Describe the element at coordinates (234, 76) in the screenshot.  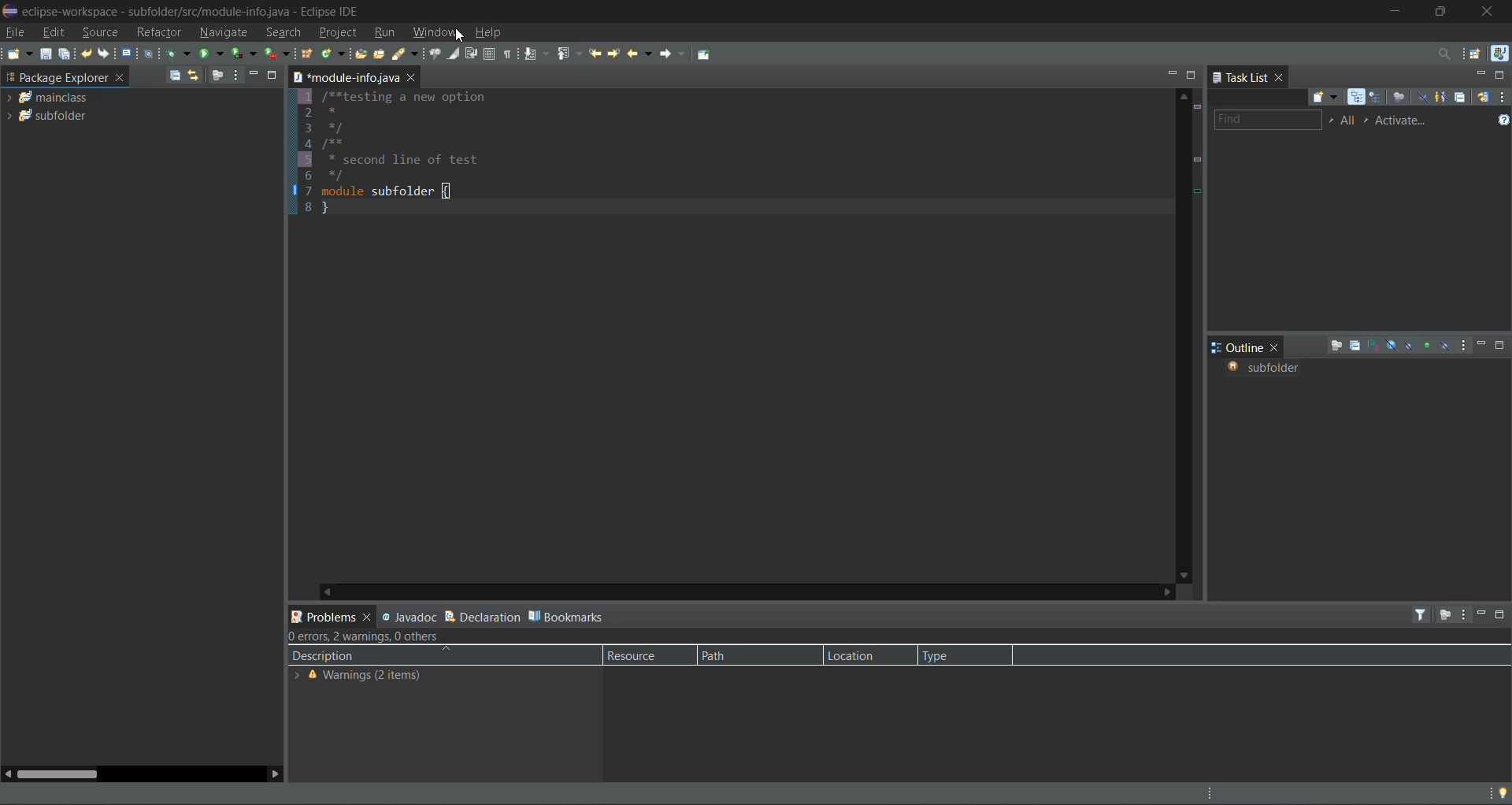
I see `view menu` at that location.